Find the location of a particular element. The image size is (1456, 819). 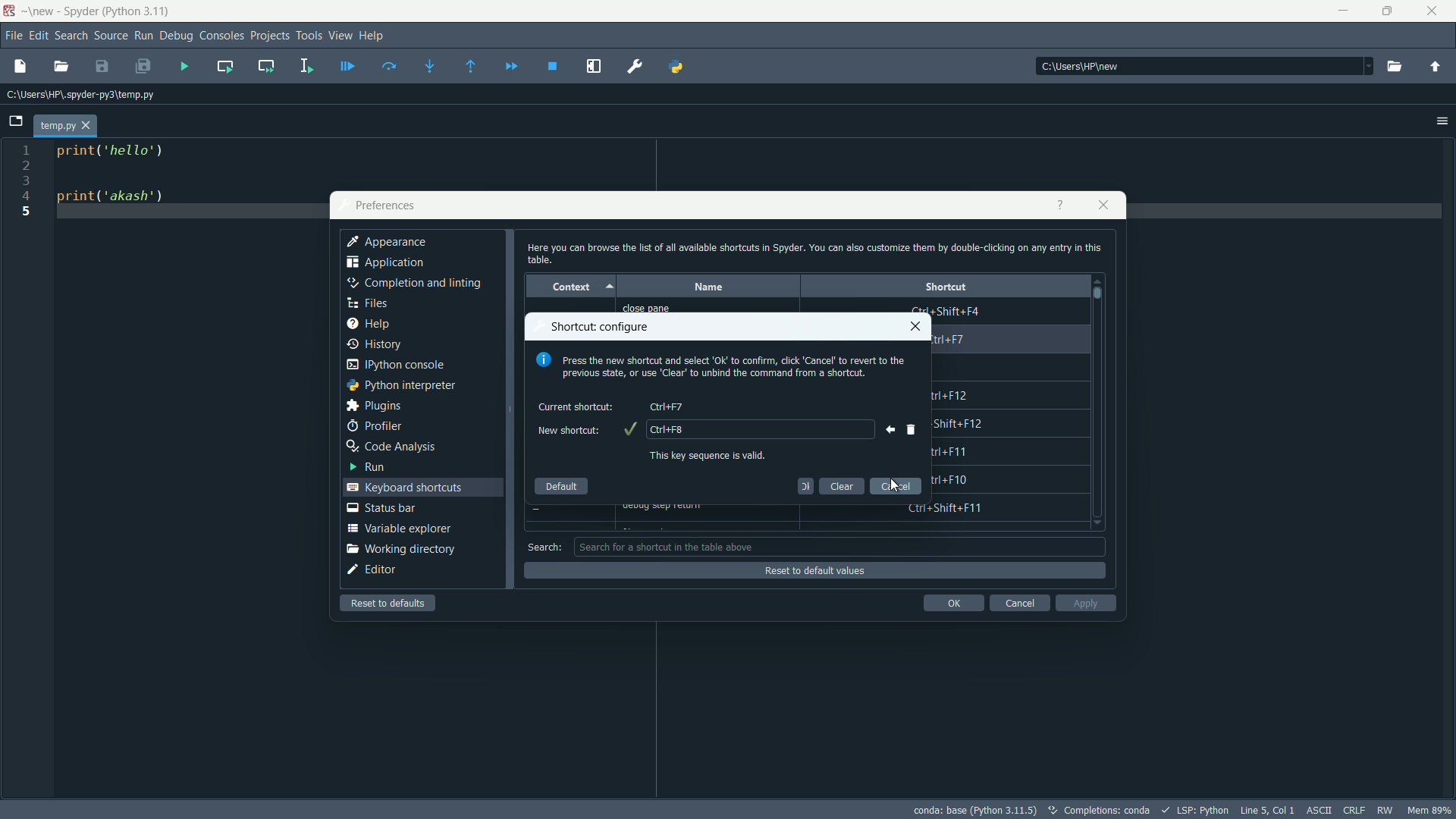

debug setup return is located at coordinates (670, 507).